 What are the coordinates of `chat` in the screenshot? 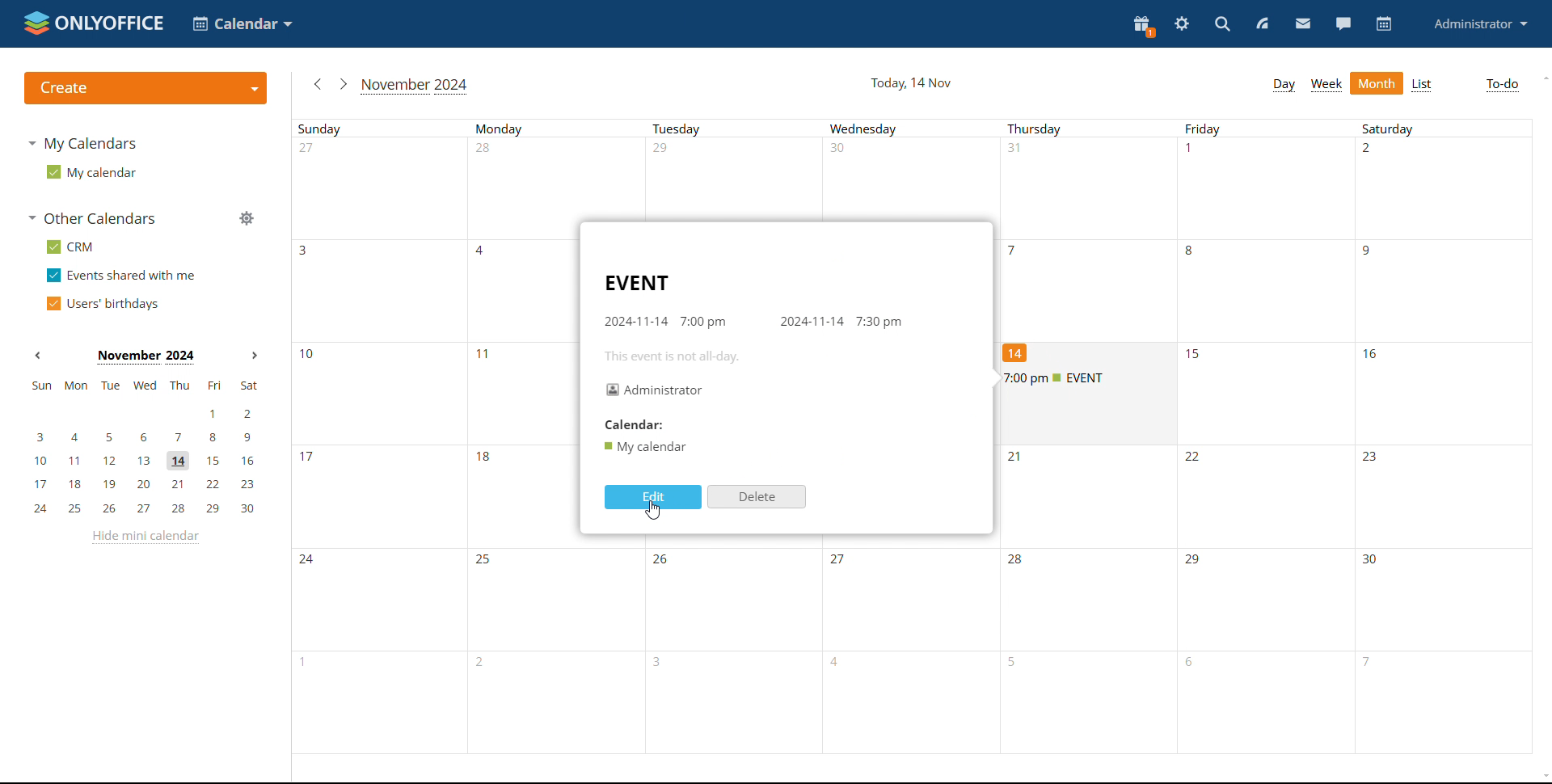 It's located at (1341, 23).